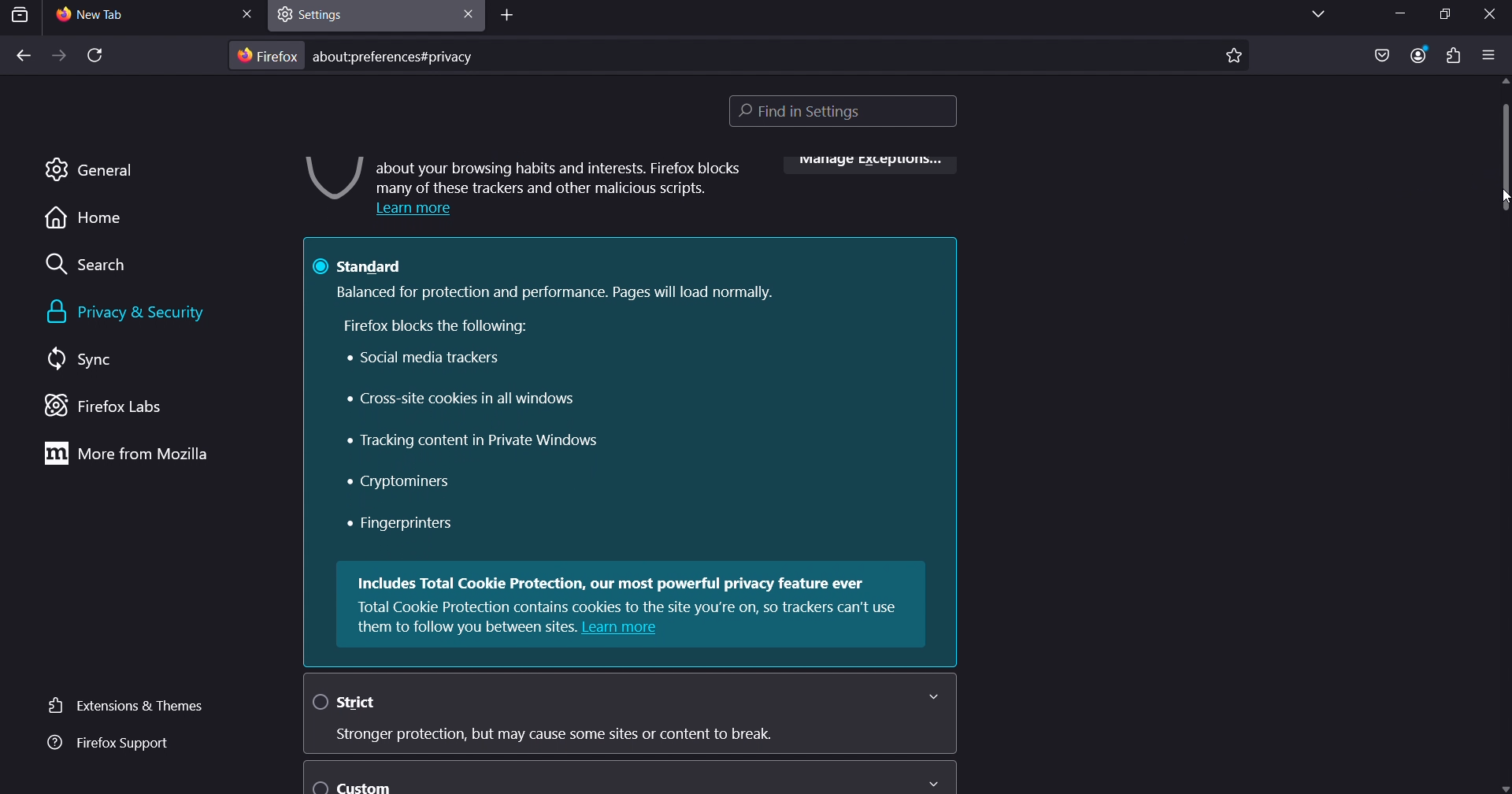 The width and height of the screenshot is (1512, 794). I want to click on search, so click(94, 267).